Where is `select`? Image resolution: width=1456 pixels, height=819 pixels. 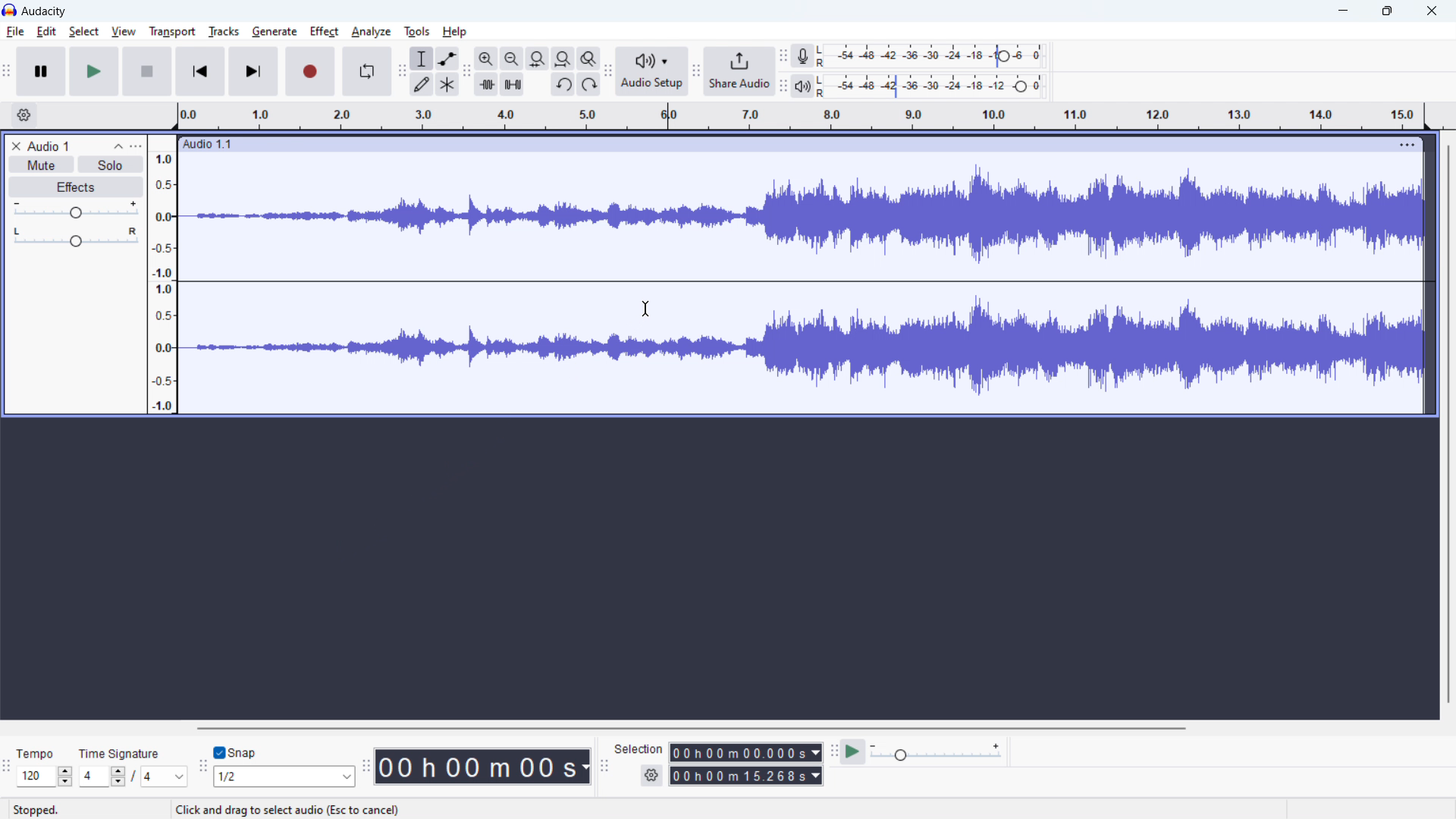
select is located at coordinates (84, 32).